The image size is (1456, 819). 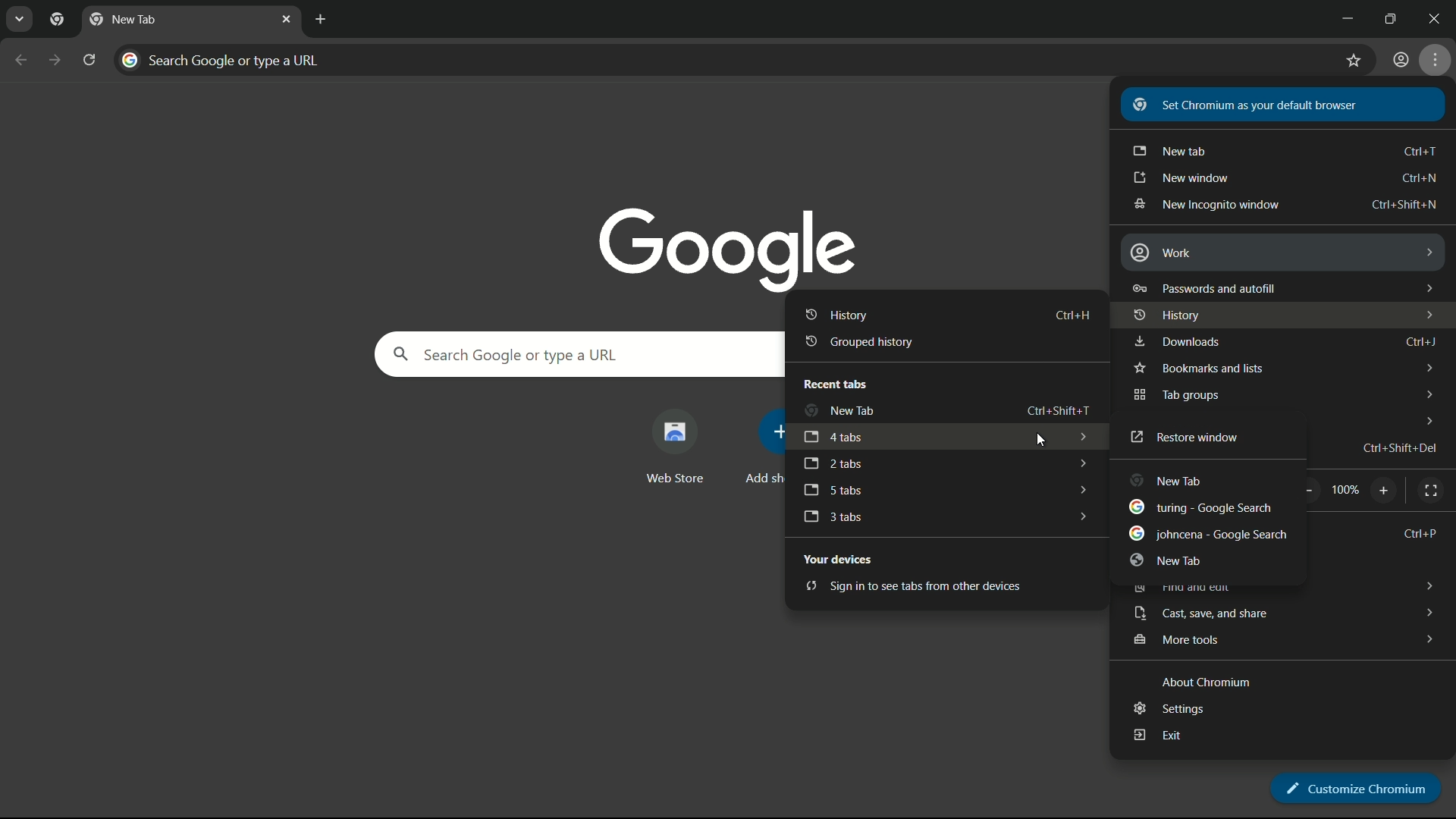 I want to click on new tab, so click(x=1169, y=560).